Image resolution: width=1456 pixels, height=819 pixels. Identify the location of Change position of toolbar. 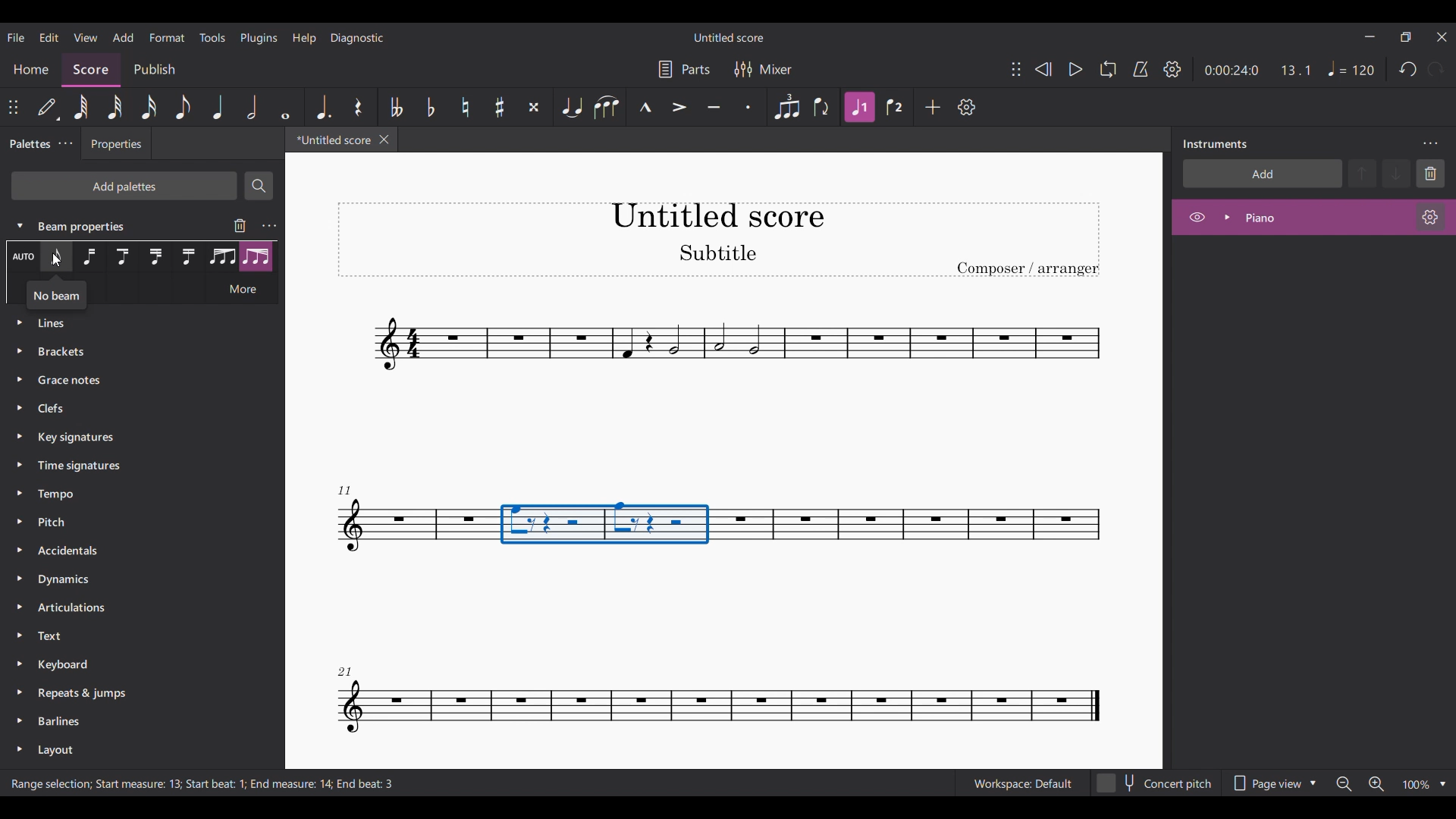
(1016, 69).